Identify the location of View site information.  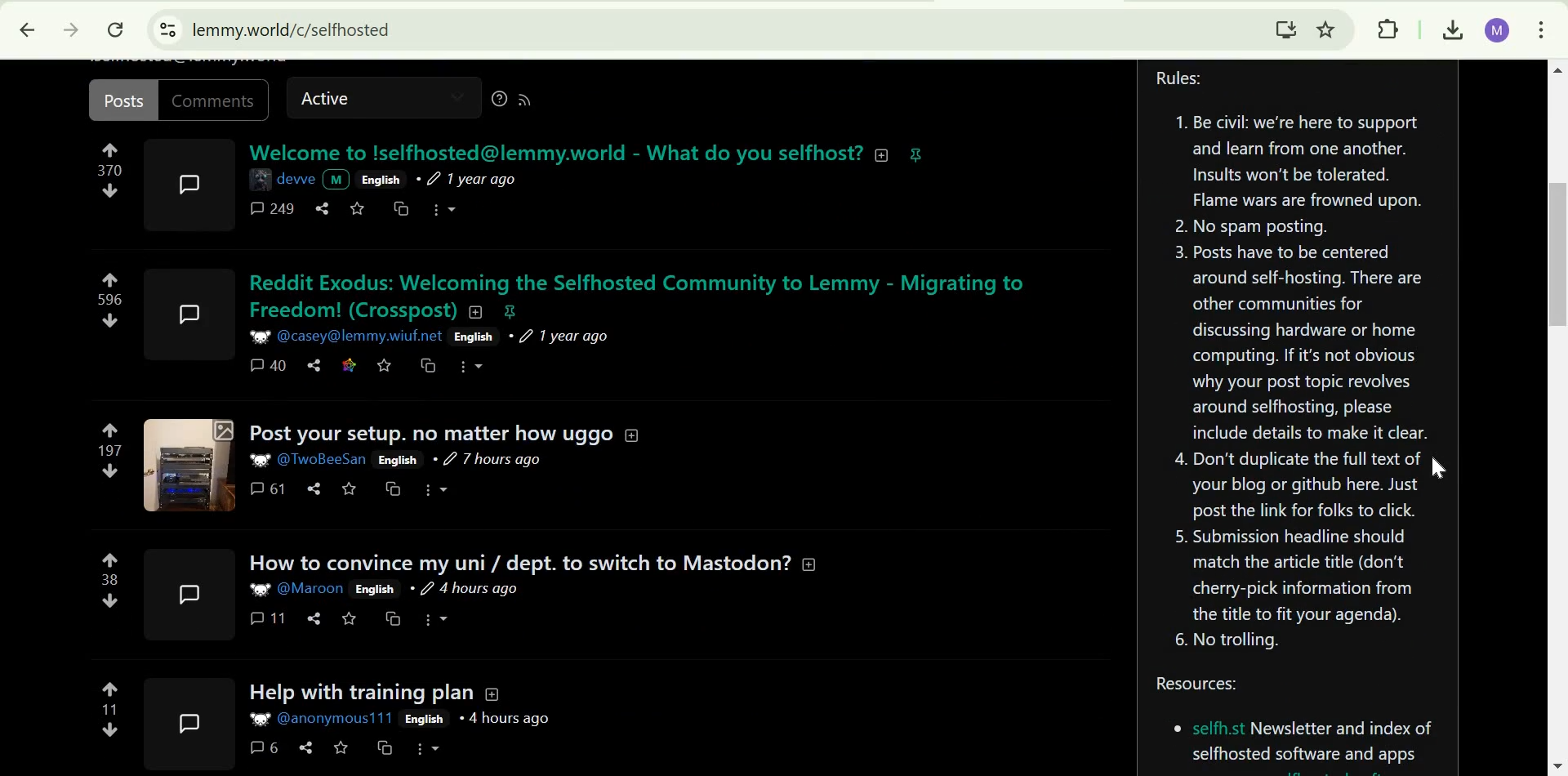
(168, 30).